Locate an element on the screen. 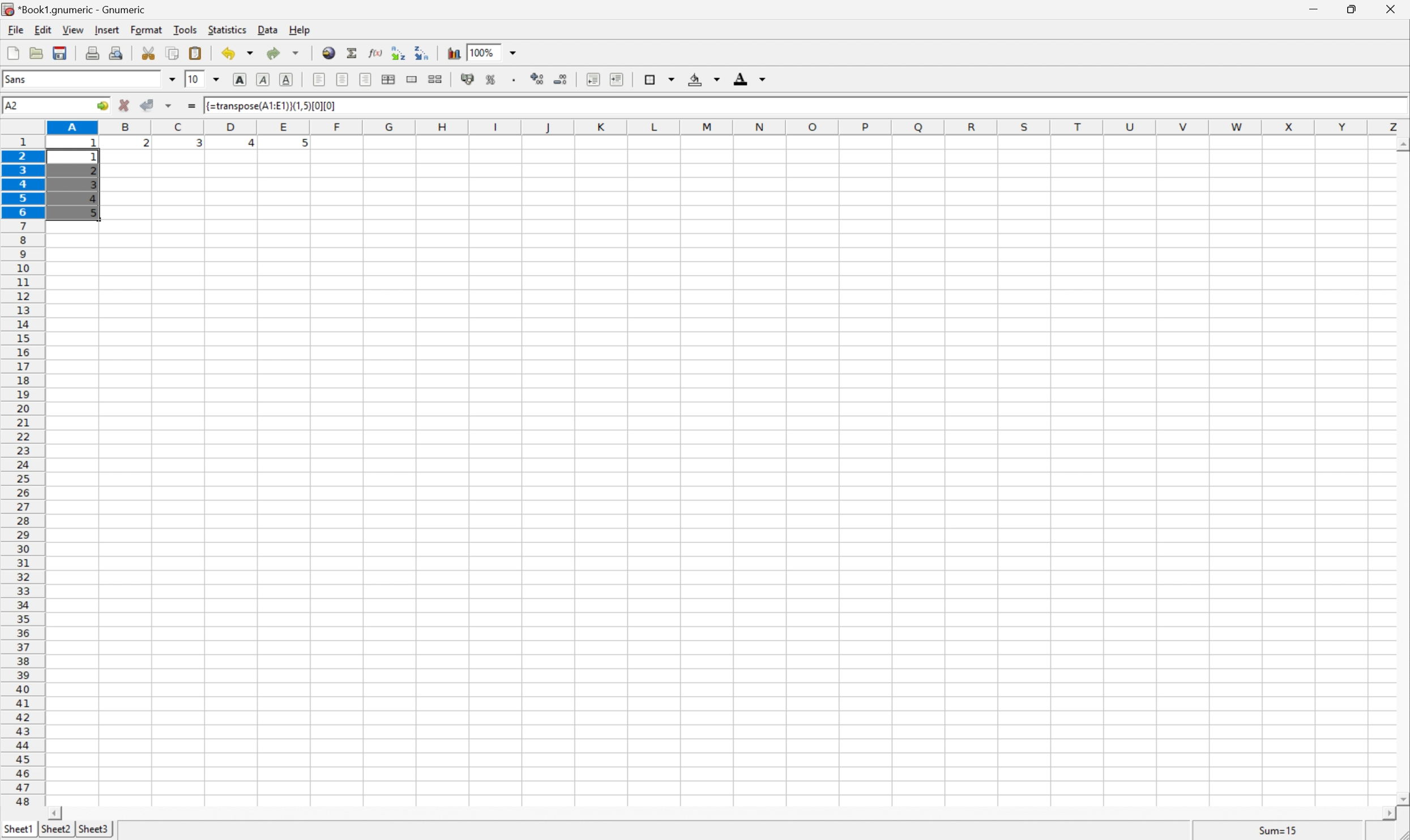  go to is located at coordinates (103, 106).